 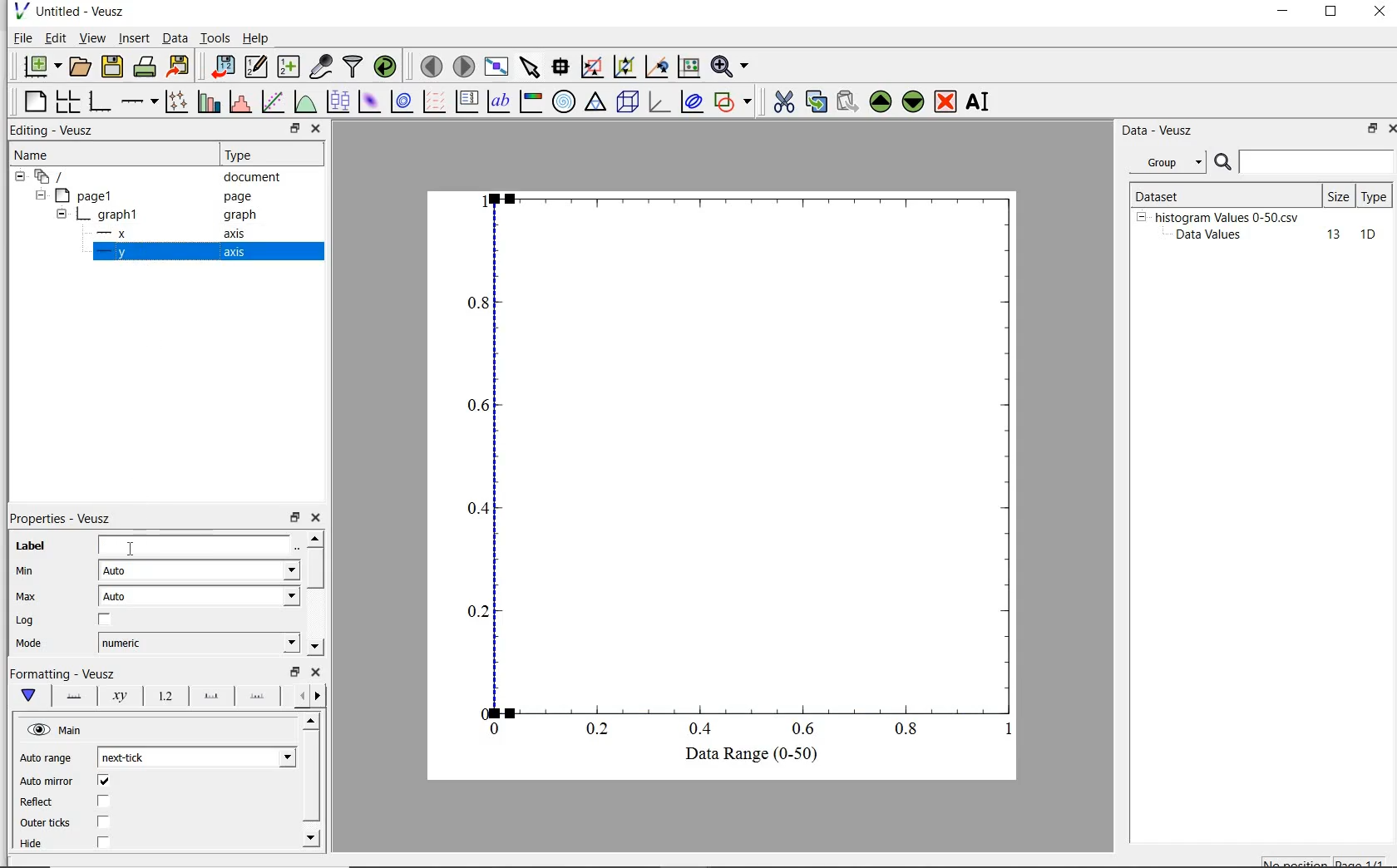 What do you see at coordinates (258, 698) in the screenshot?
I see `minor ticks` at bounding box center [258, 698].